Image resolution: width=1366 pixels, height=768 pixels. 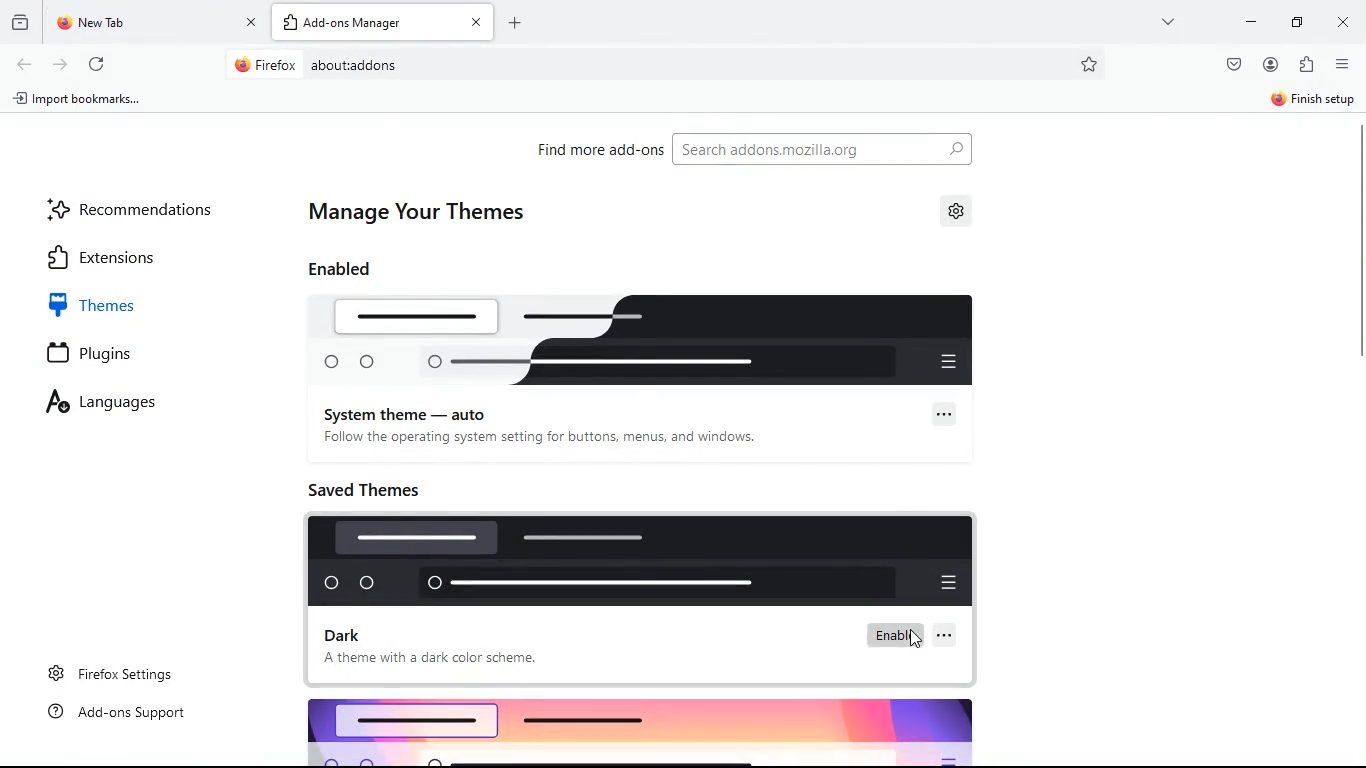 I want to click on favorites, so click(x=1096, y=64).